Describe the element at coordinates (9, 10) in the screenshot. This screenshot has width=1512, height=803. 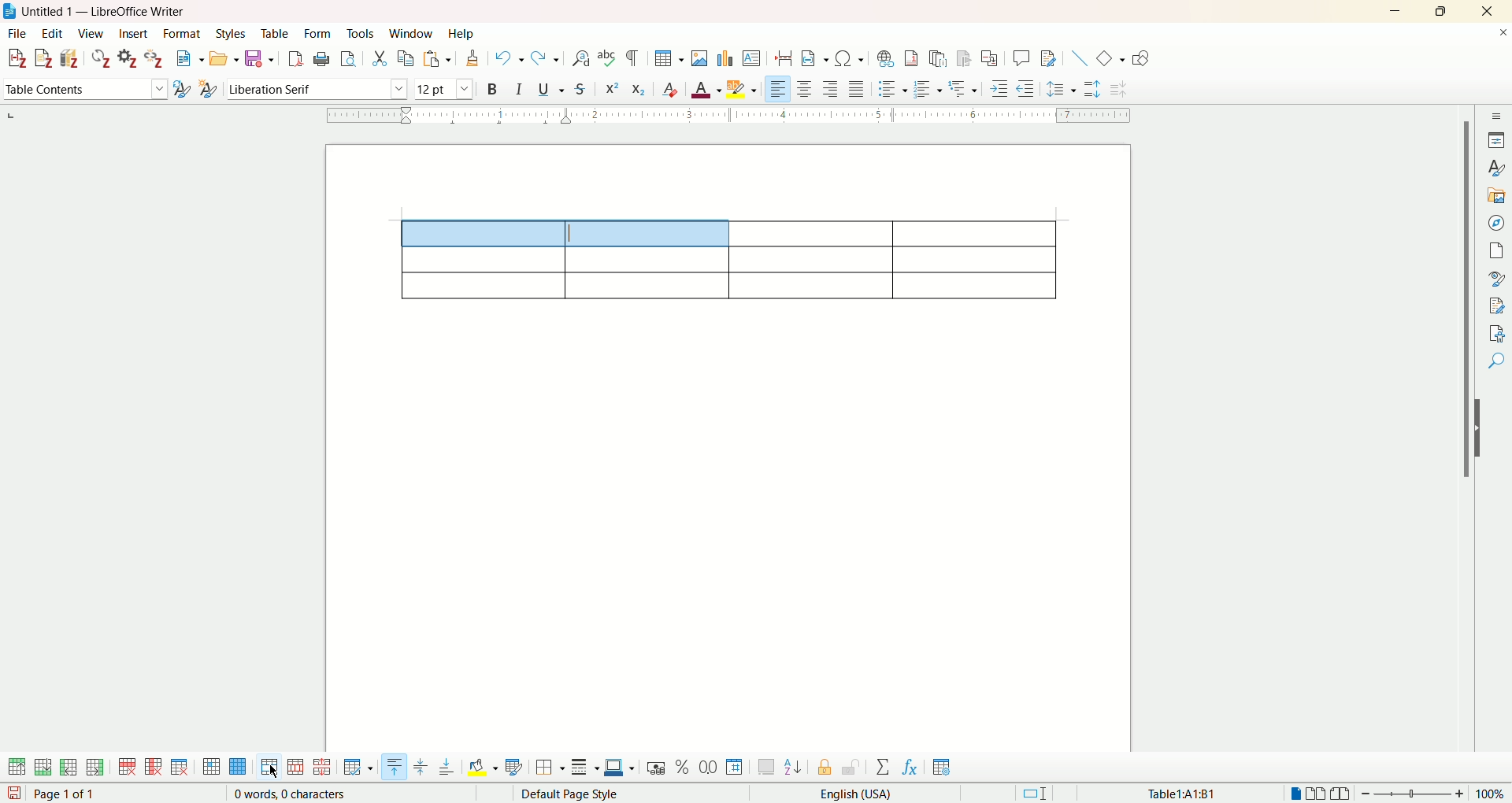
I see `logo` at that location.